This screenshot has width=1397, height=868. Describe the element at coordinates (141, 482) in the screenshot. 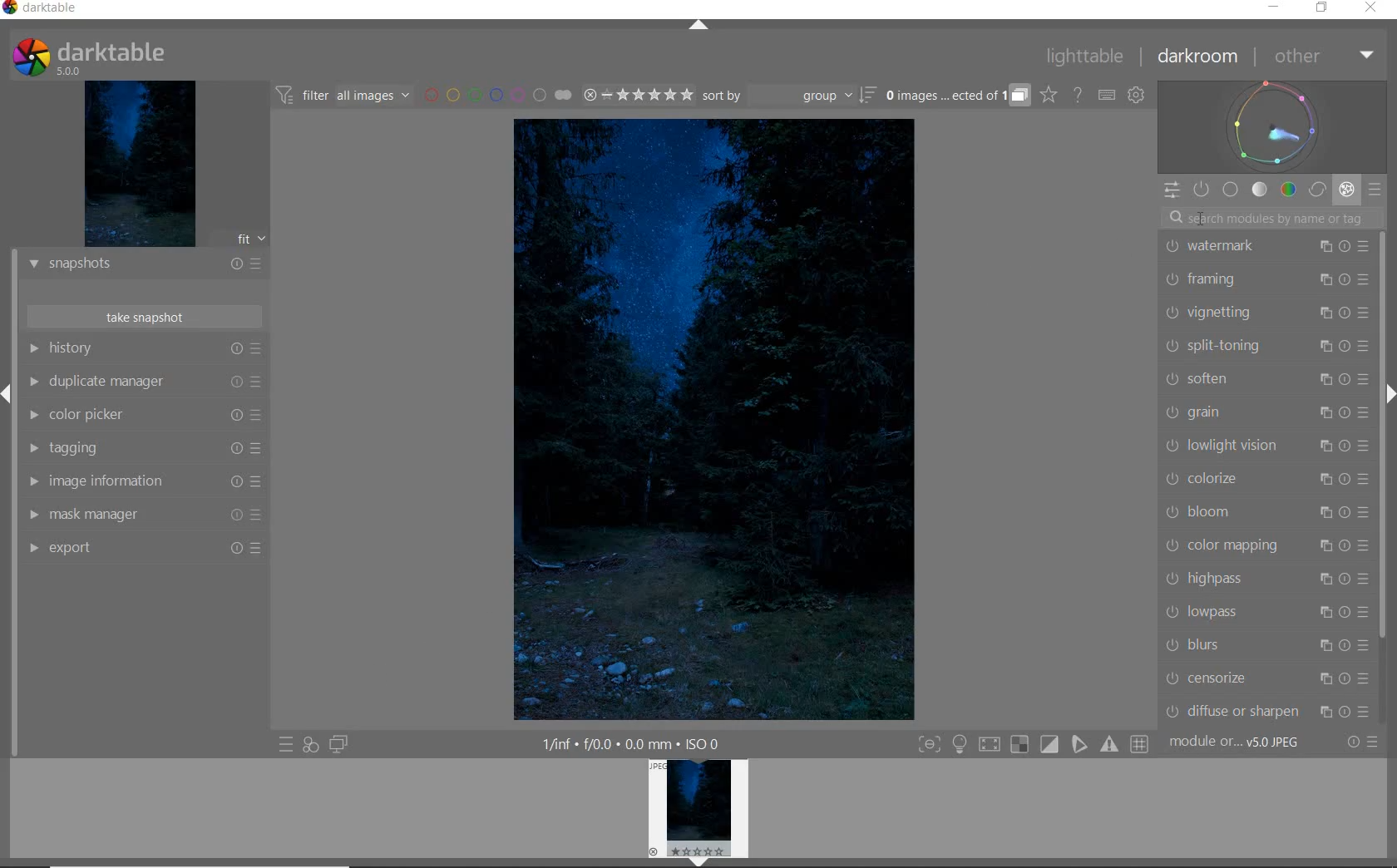

I see `IMAGE INFORMATION` at that location.